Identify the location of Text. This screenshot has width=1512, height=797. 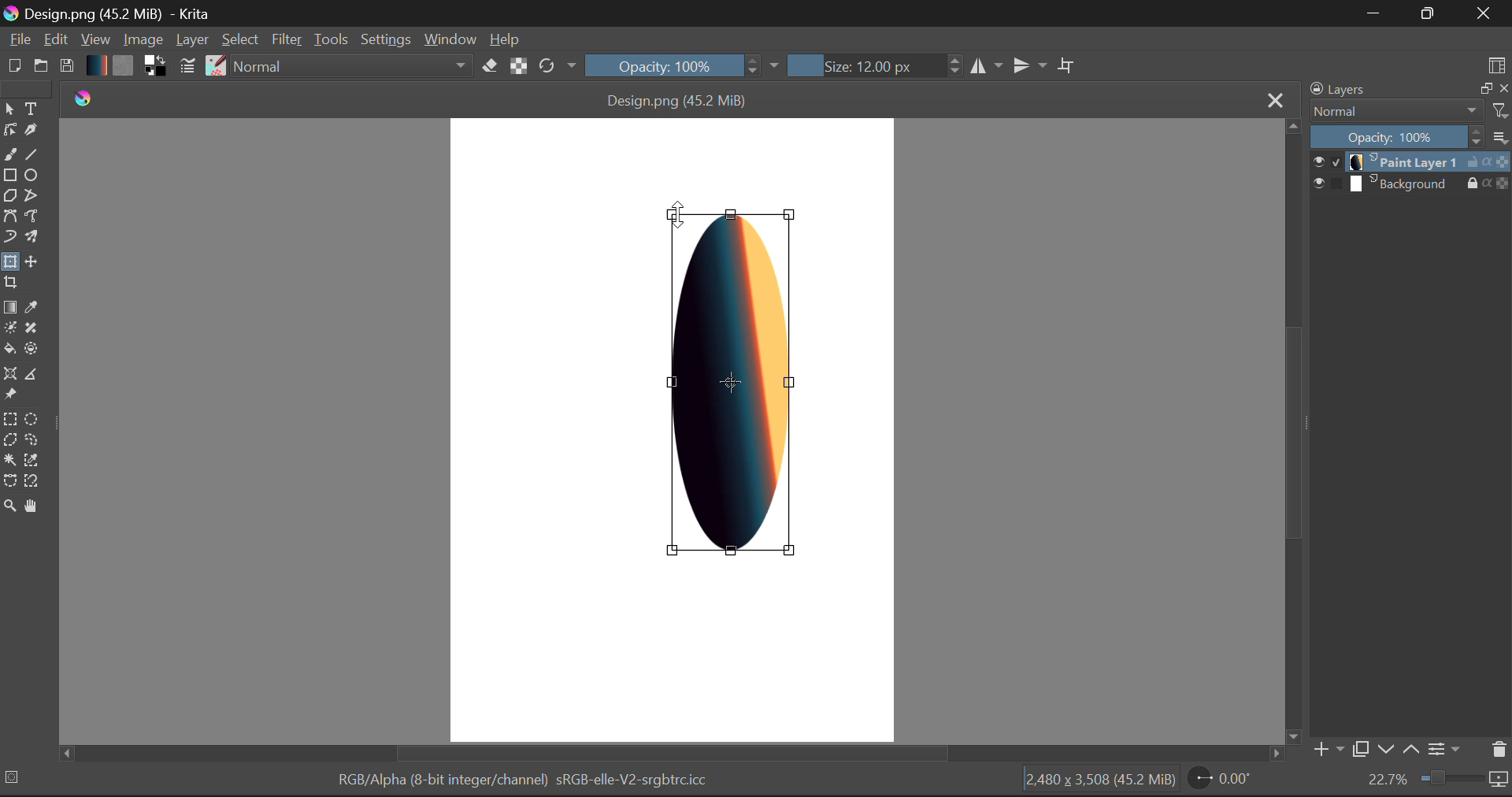
(32, 109).